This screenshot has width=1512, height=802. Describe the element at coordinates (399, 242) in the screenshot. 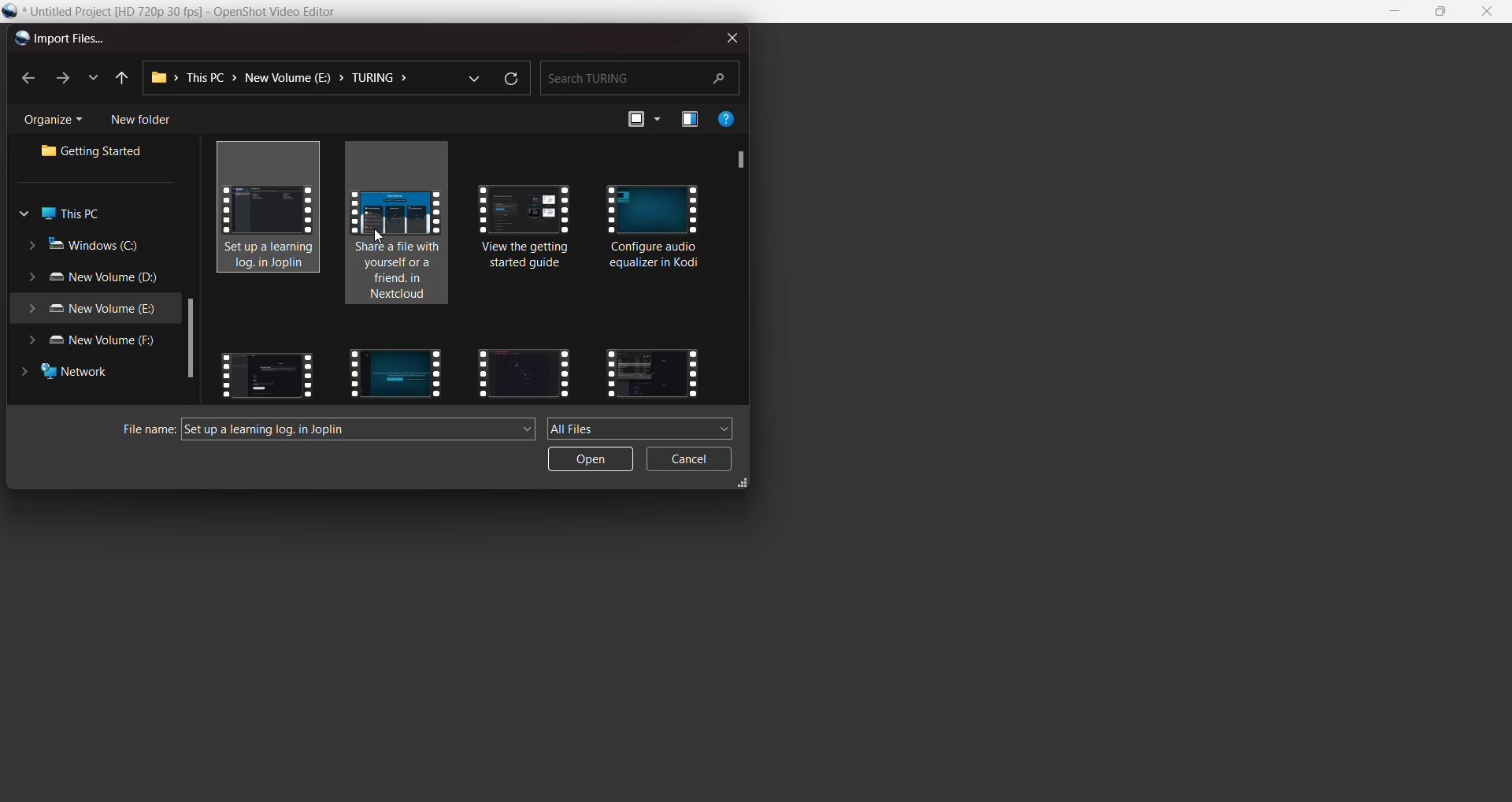

I see `videos` at that location.